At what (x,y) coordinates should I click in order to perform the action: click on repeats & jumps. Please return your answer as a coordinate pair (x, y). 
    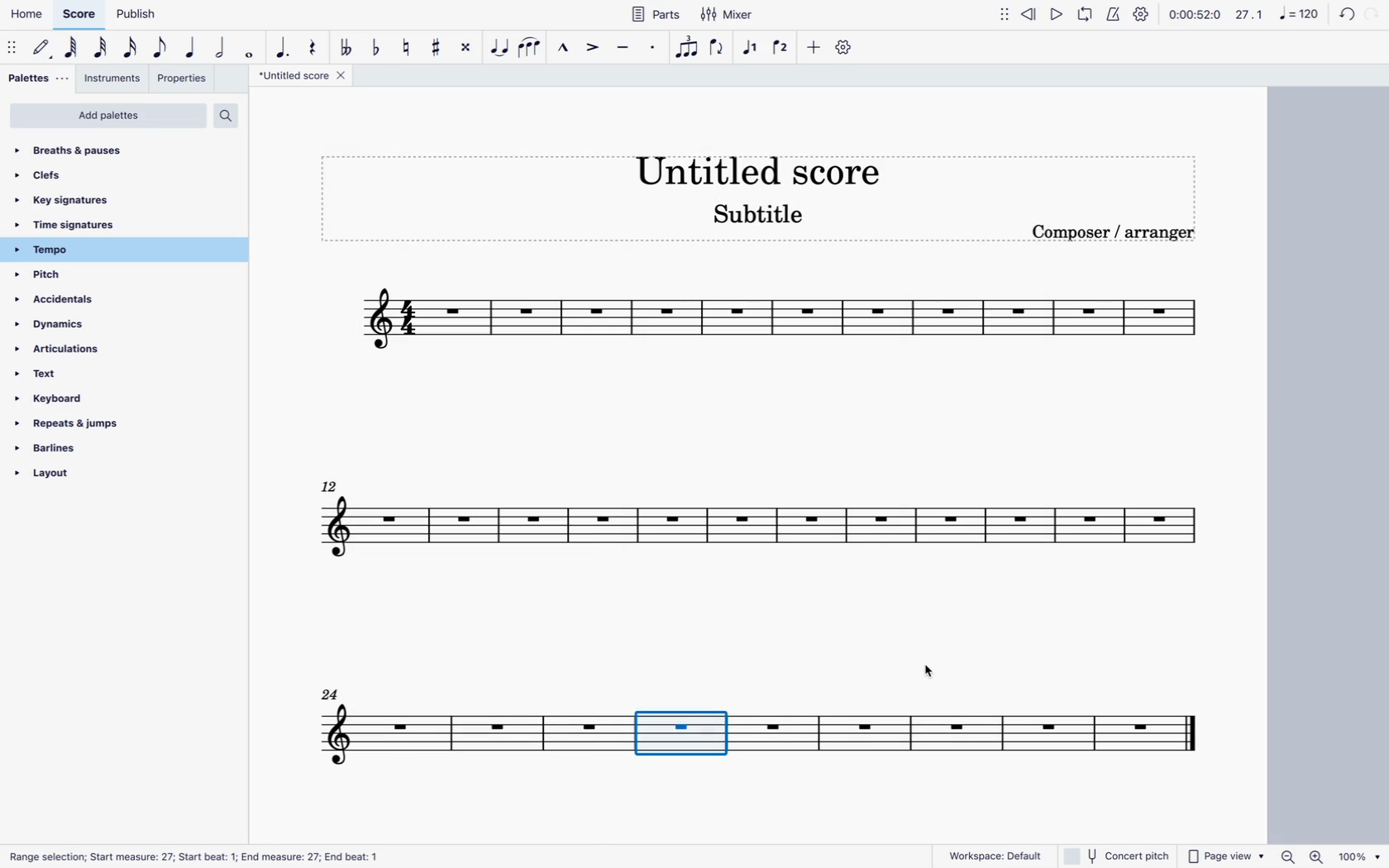
    Looking at the image, I should click on (94, 423).